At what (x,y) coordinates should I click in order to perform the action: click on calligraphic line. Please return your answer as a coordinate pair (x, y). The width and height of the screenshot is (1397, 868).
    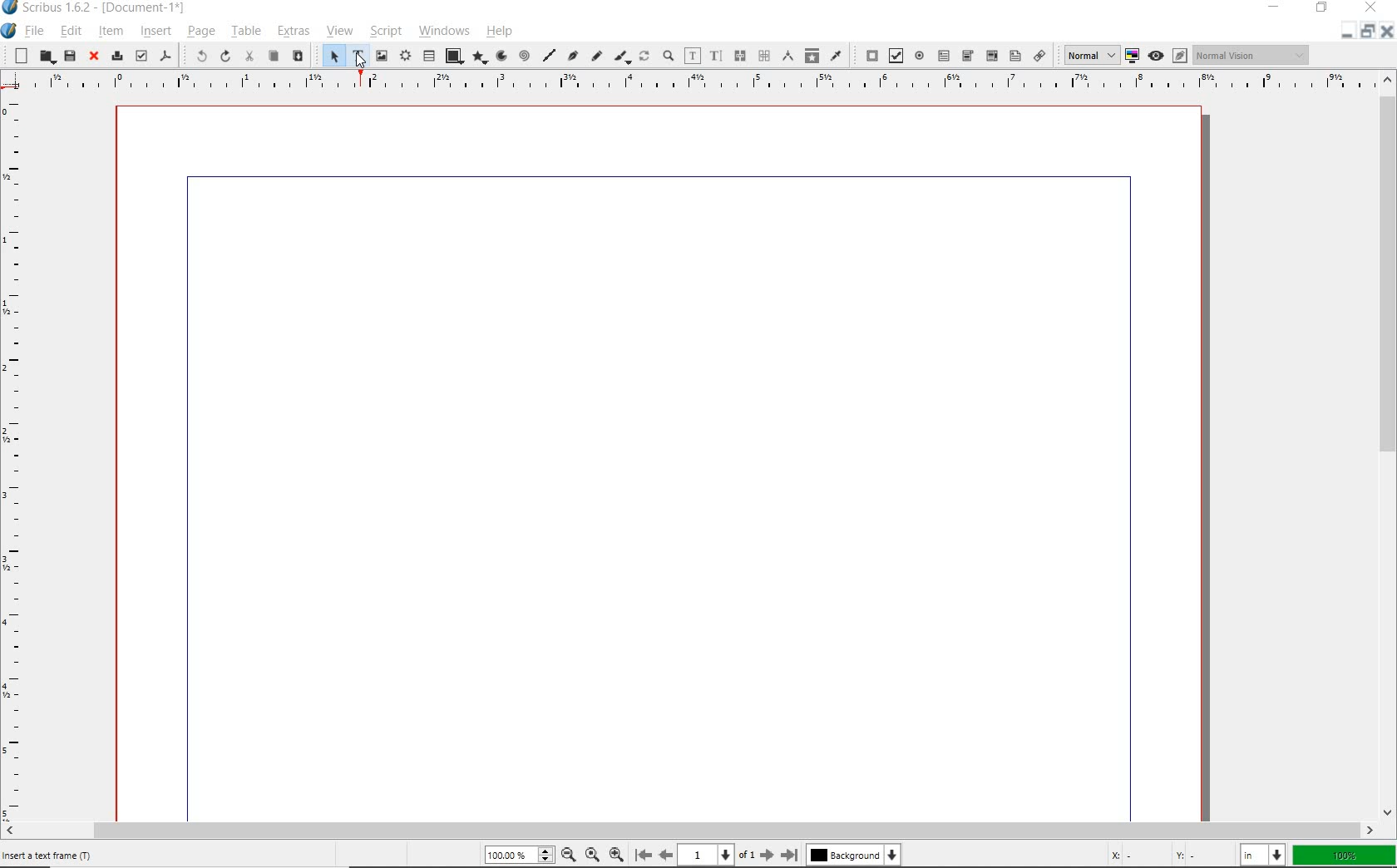
    Looking at the image, I should click on (623, 57).